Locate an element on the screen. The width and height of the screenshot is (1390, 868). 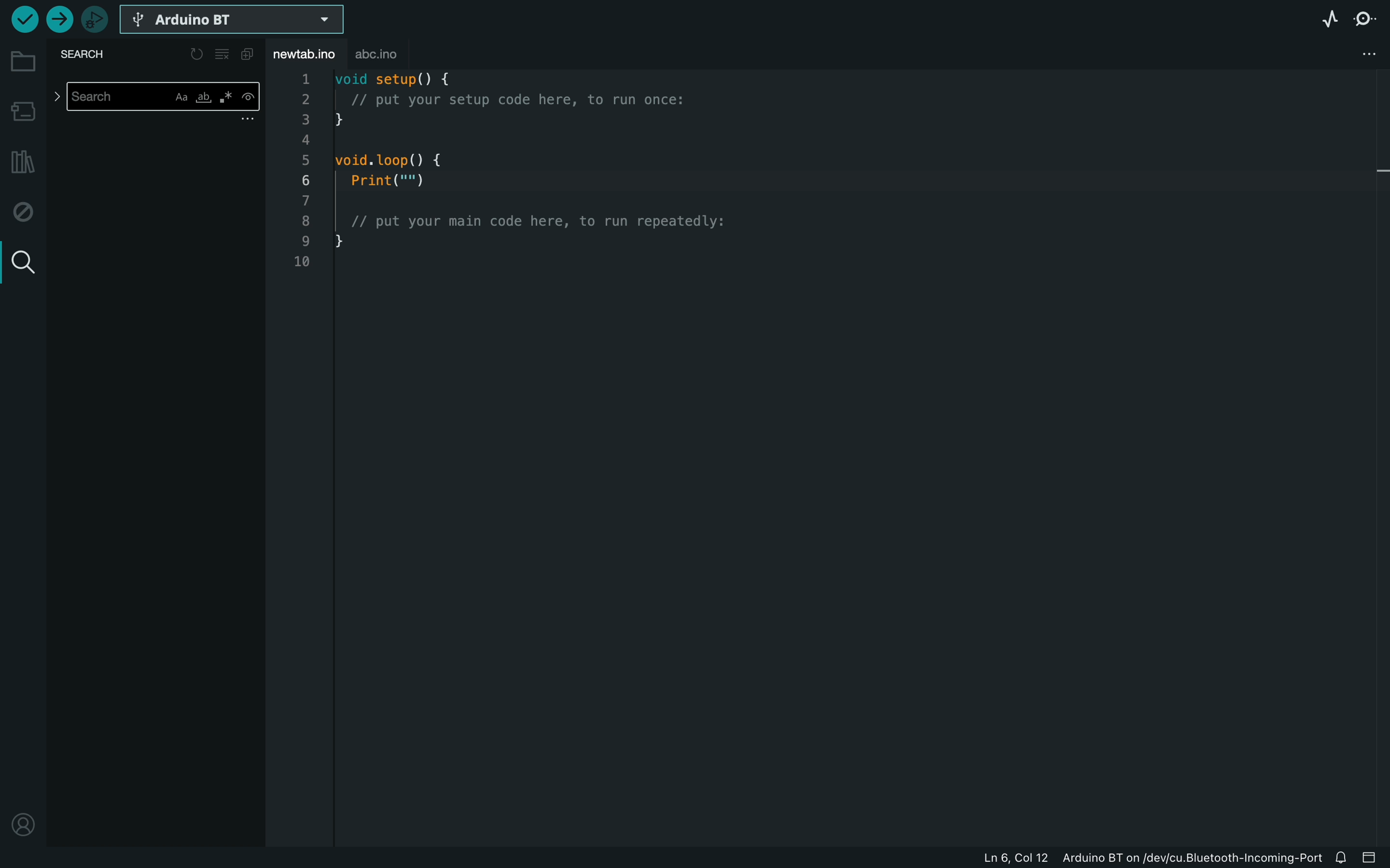
close slide bar is located at coordinates (1373, 857).